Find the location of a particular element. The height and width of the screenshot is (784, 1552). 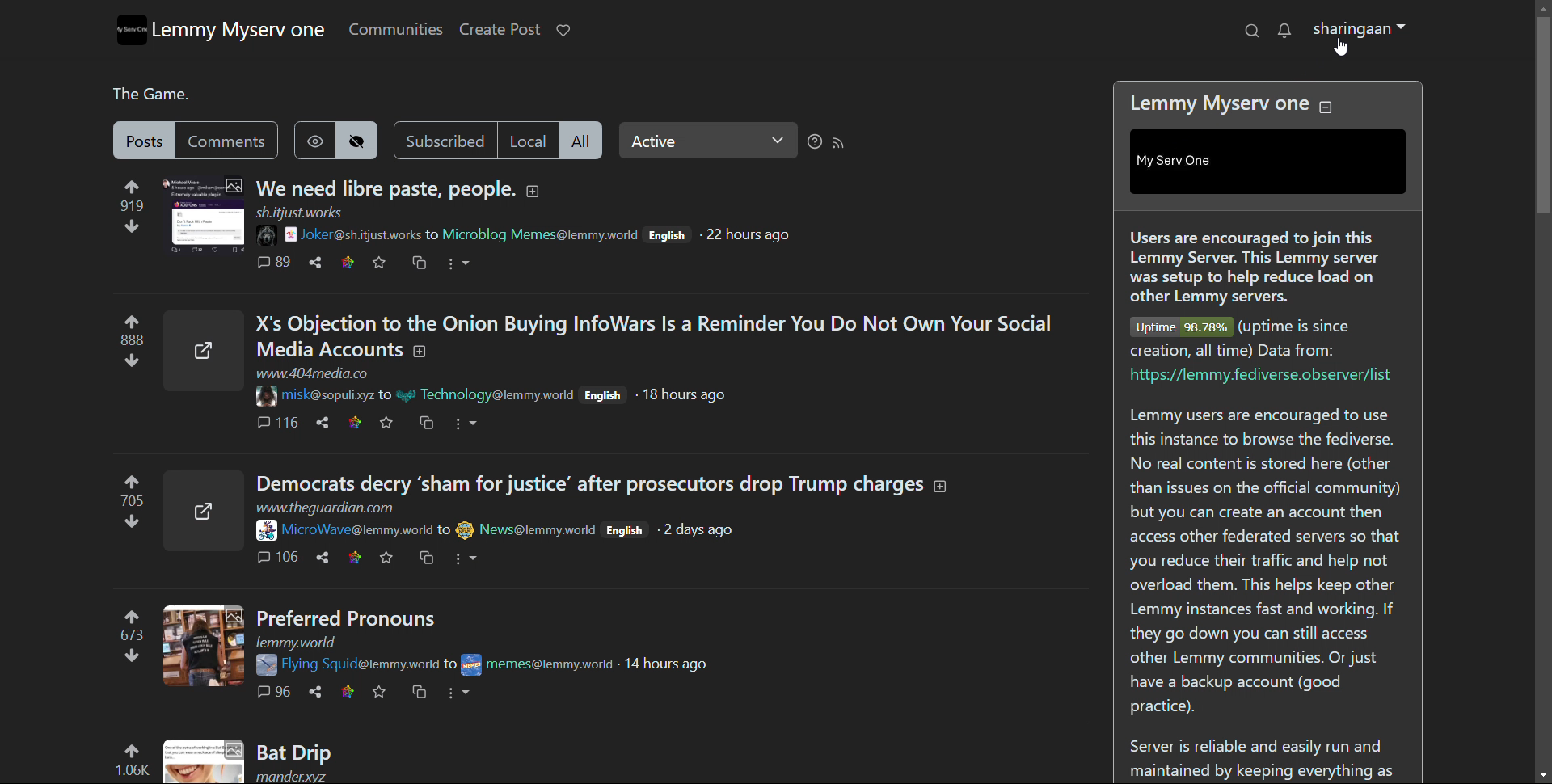

more is located at coordinates (475, 424).